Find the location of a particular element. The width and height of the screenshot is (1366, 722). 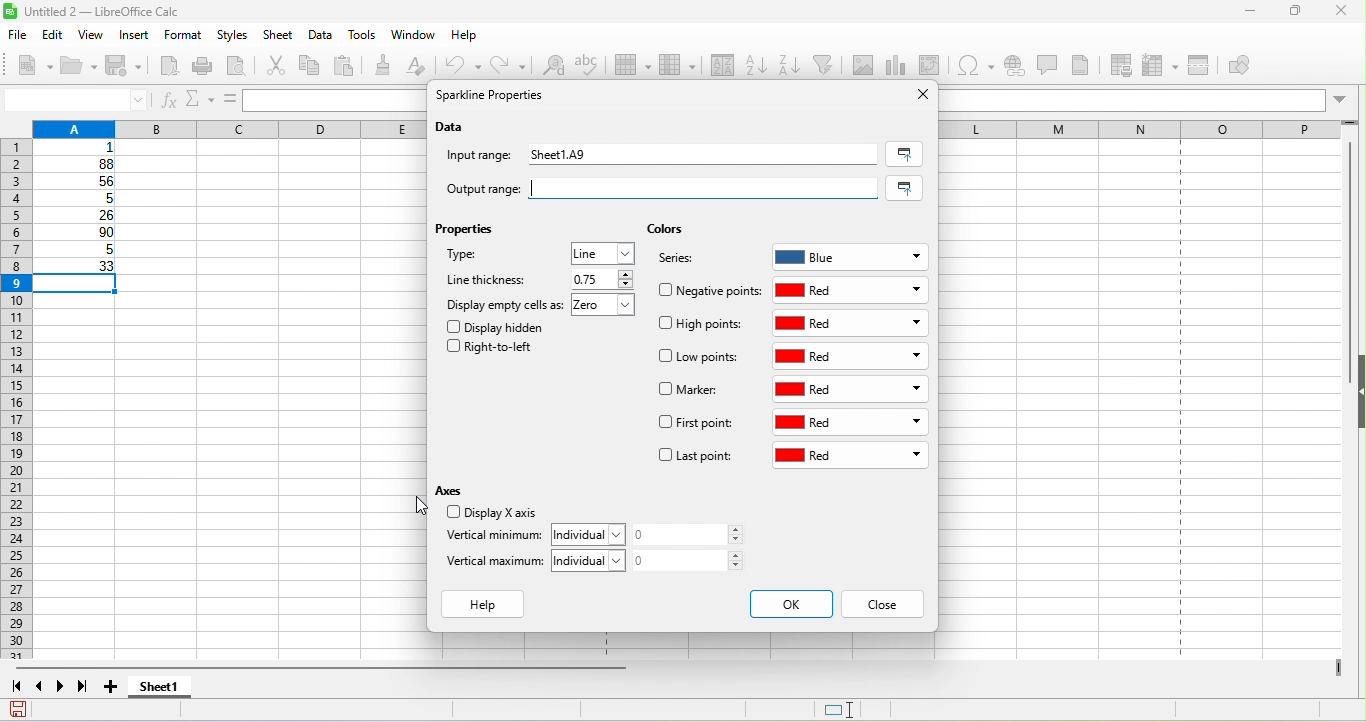

ok is located at coordinates (790, 604).